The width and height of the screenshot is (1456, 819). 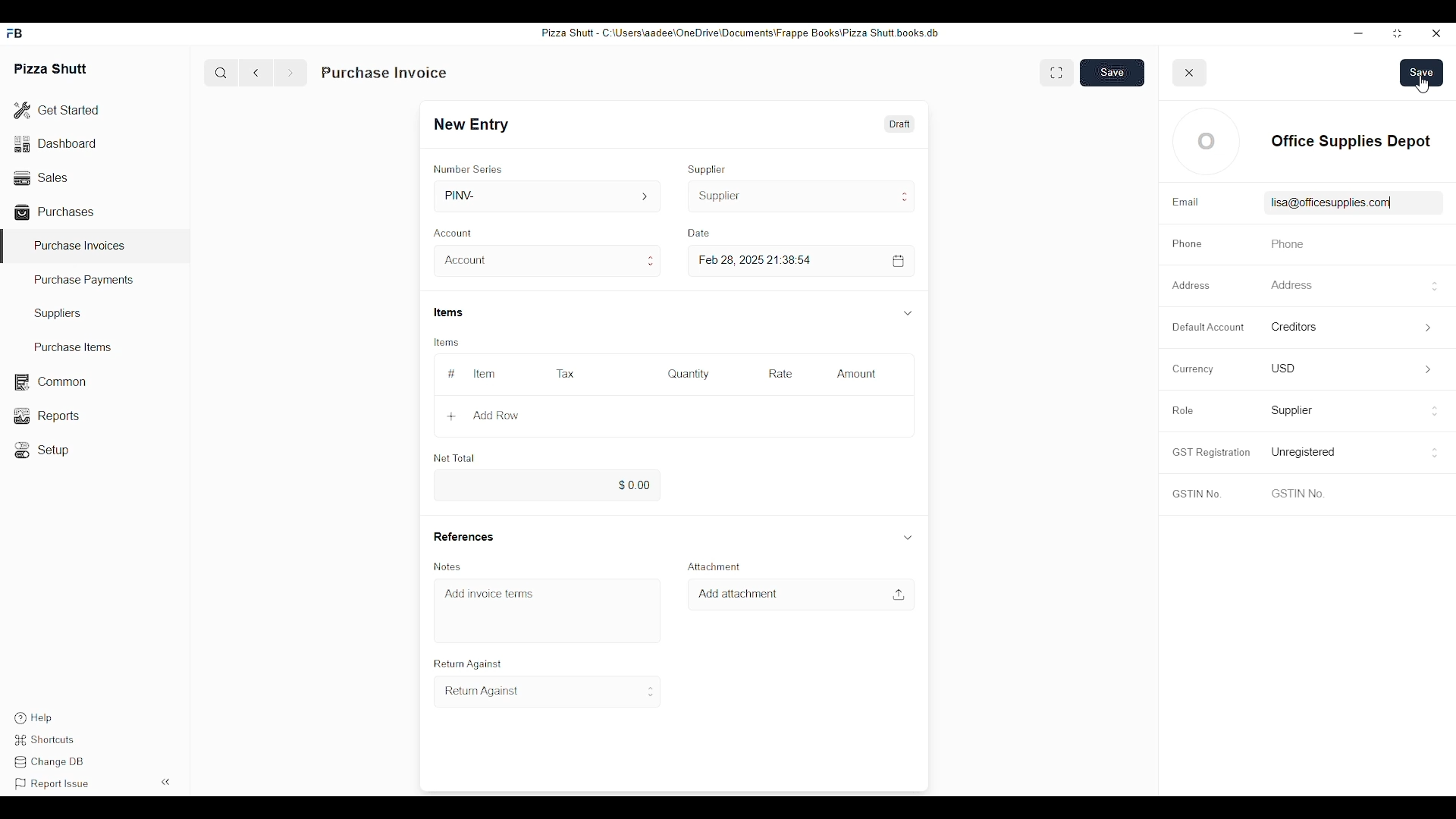 What do you see at coordinates (701, 233) in the screenshot?
I see `Date` at bounding box center [701, 233].